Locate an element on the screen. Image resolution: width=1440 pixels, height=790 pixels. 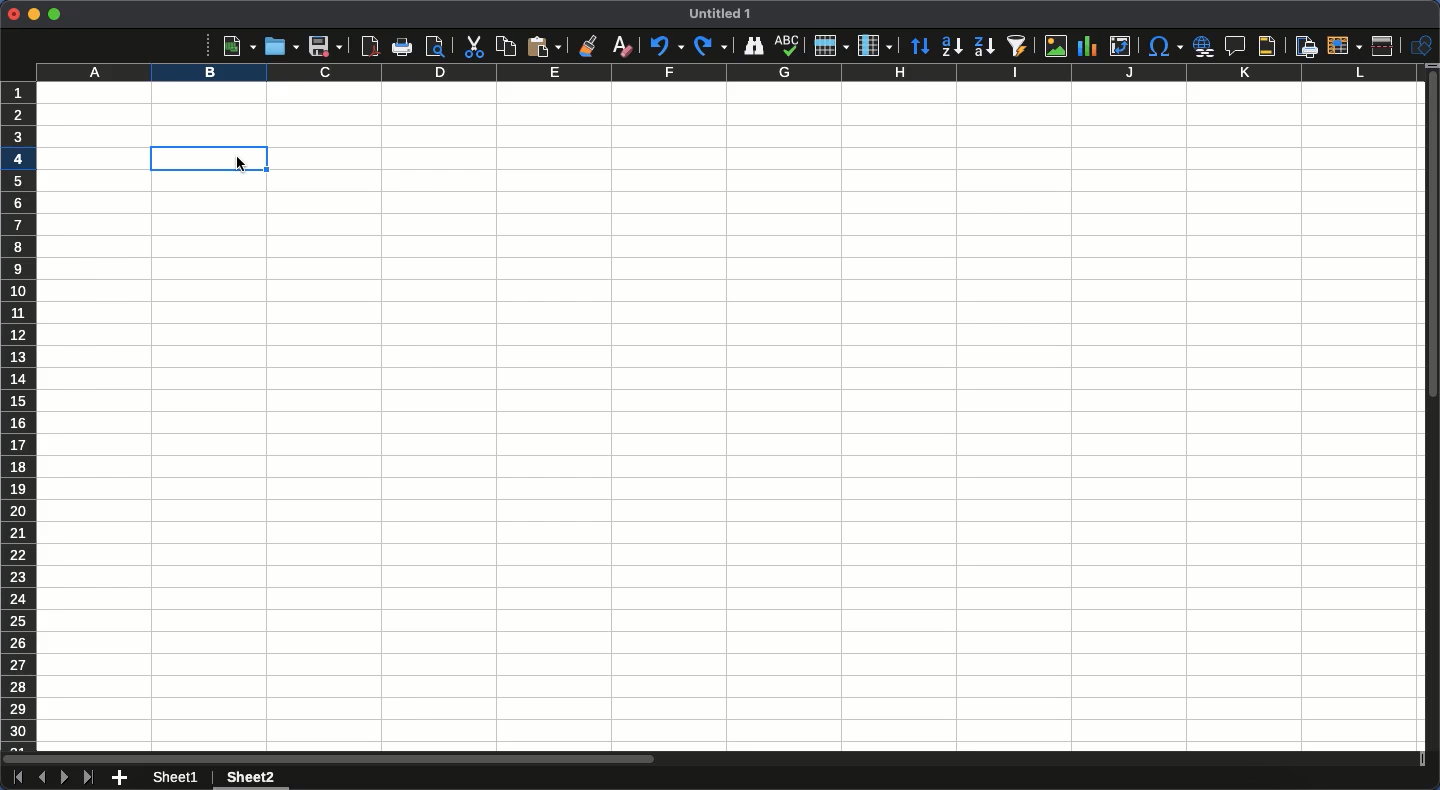
Shapes is located at coordinates (1422, 46).